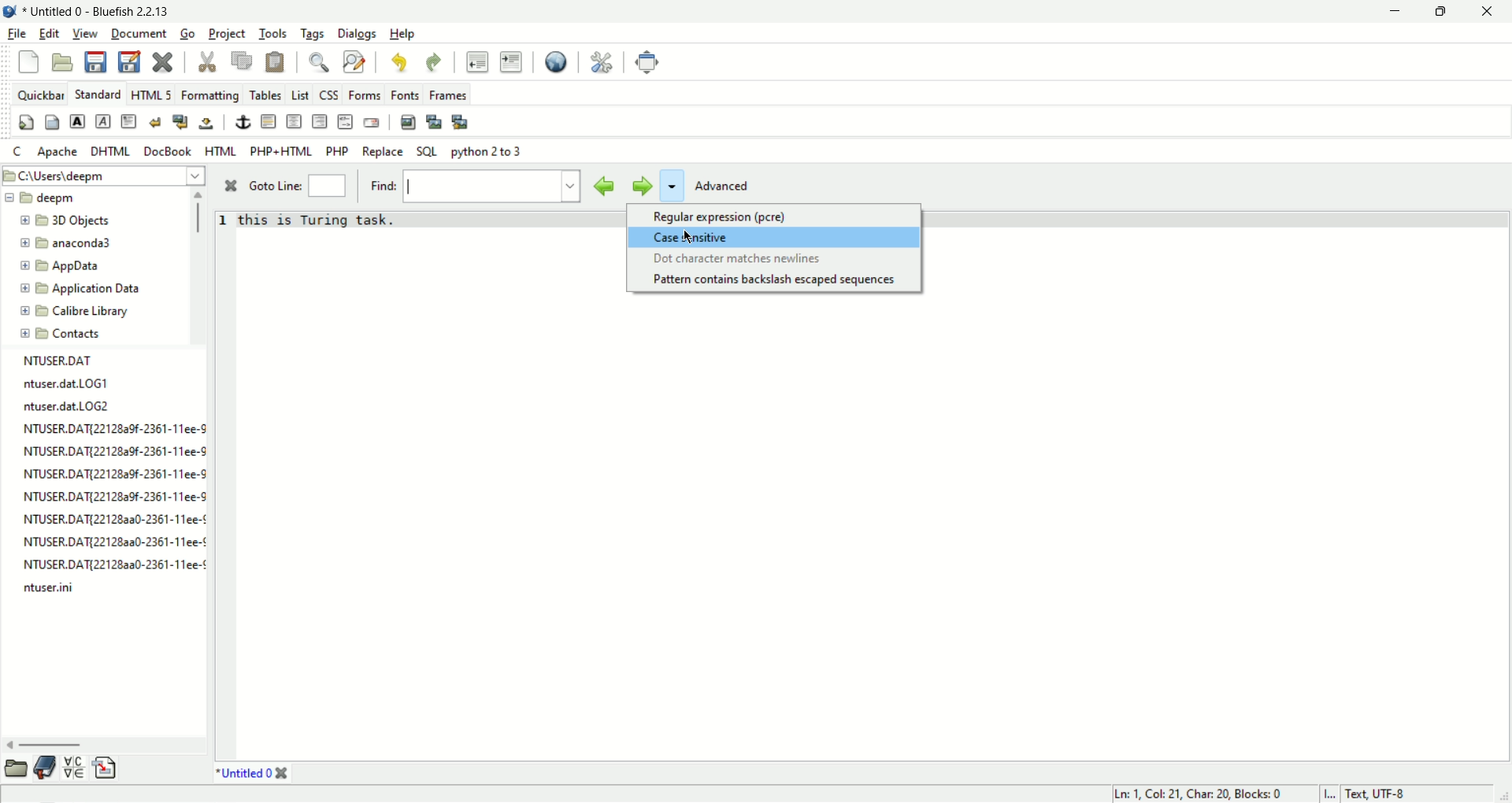 This screenshot has width=1512, height=803. Describe the element at coordinates (428, 151) in the screenshot. I see `SQL` at that location.